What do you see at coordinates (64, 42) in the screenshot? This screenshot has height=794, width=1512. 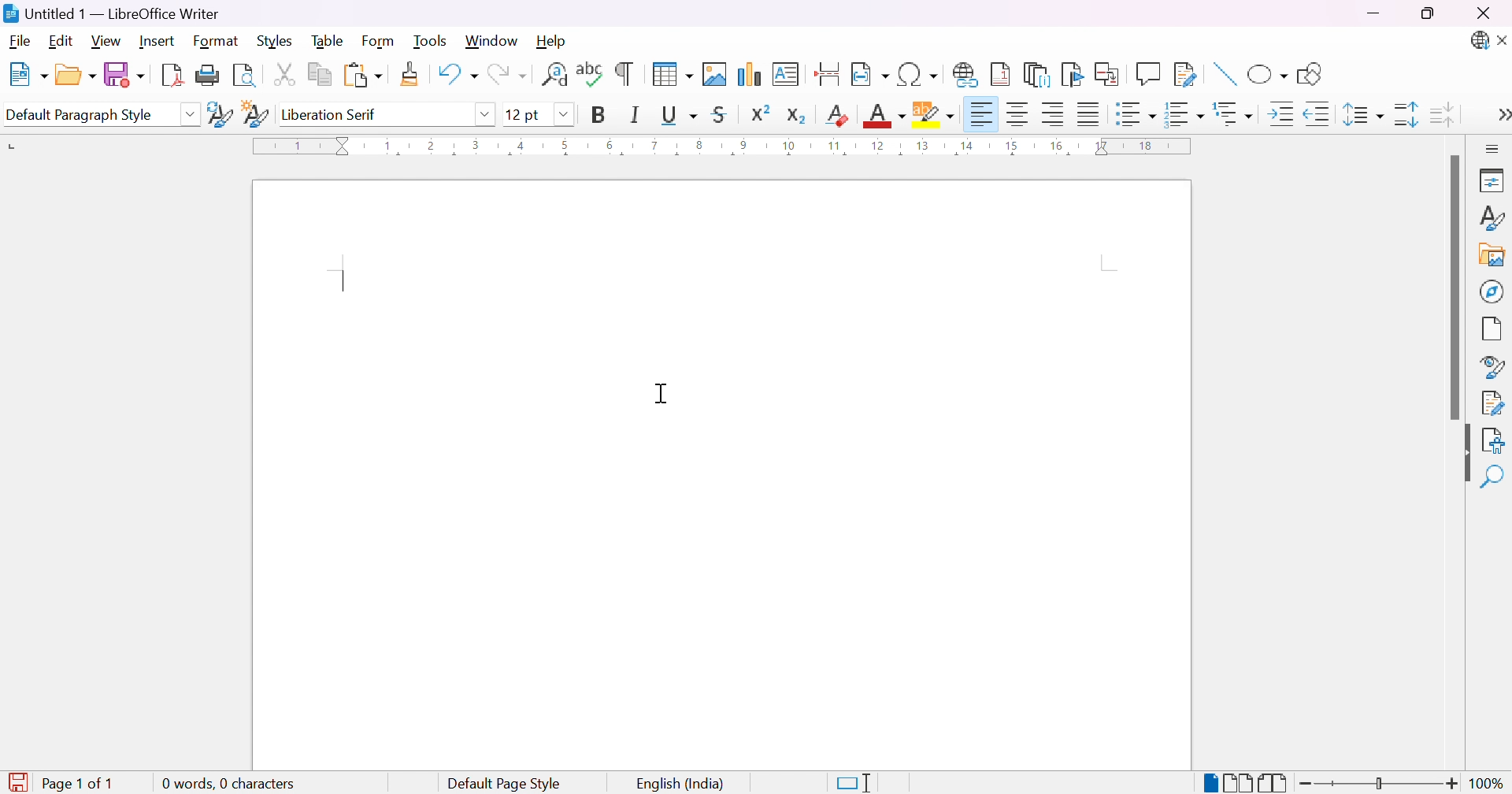 I see `Edit` at bounding box center [64, 42].